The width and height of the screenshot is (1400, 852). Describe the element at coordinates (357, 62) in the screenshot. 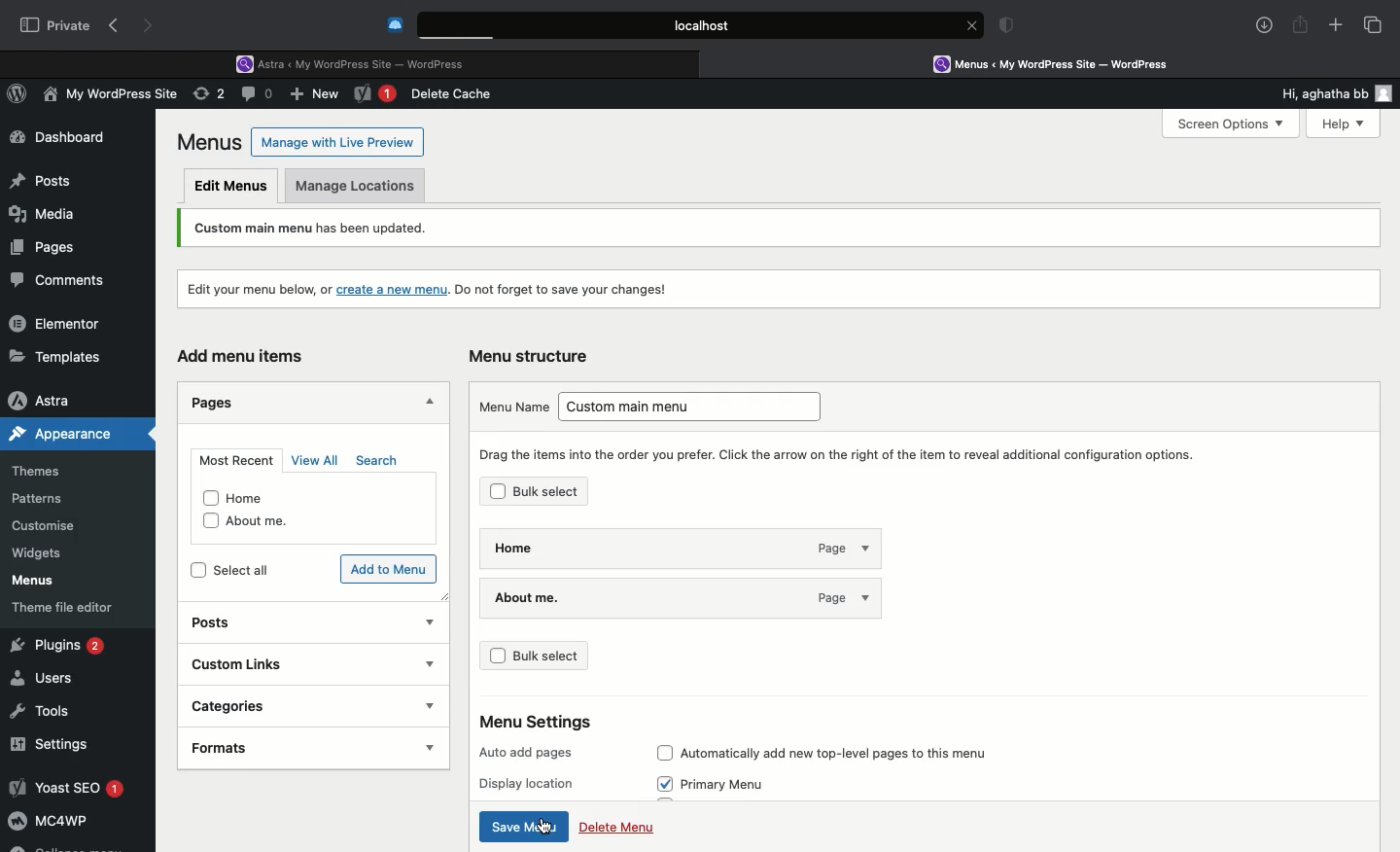

I see `Astra < My WordPress Site - WordPress` at that location.